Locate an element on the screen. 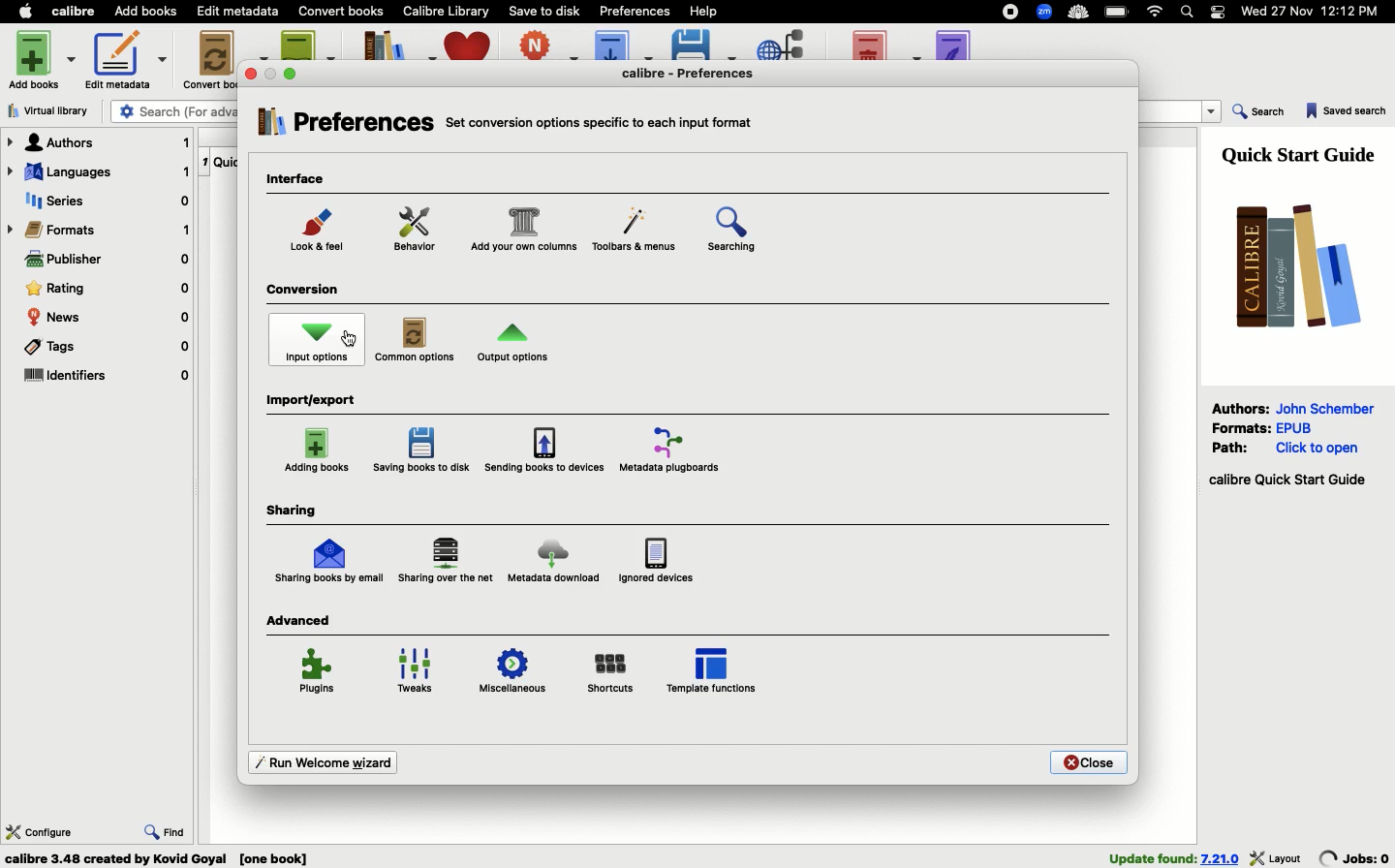 This screenshot has height=868, width=1395. Common options is located at coordinates (417, 341).